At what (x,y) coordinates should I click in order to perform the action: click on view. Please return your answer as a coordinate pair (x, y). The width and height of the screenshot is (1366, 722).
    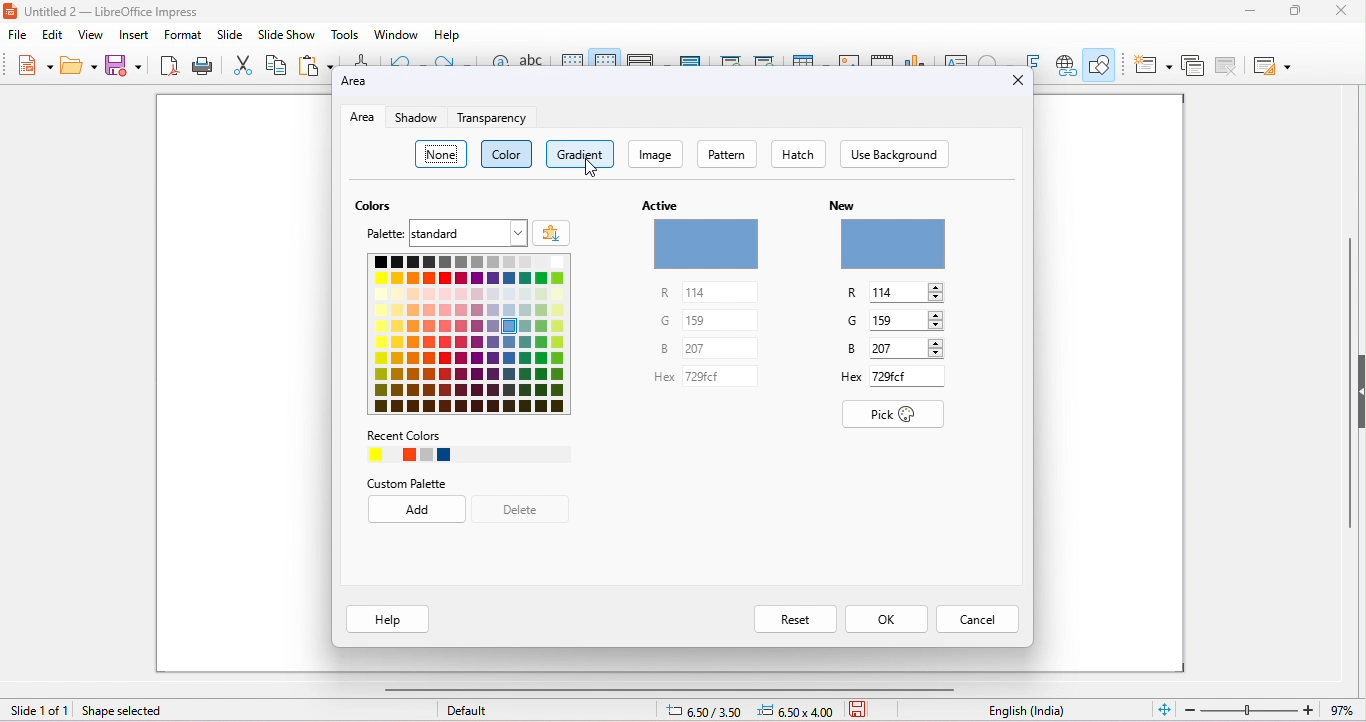
    Looking at the image, I should click on (91, 35).